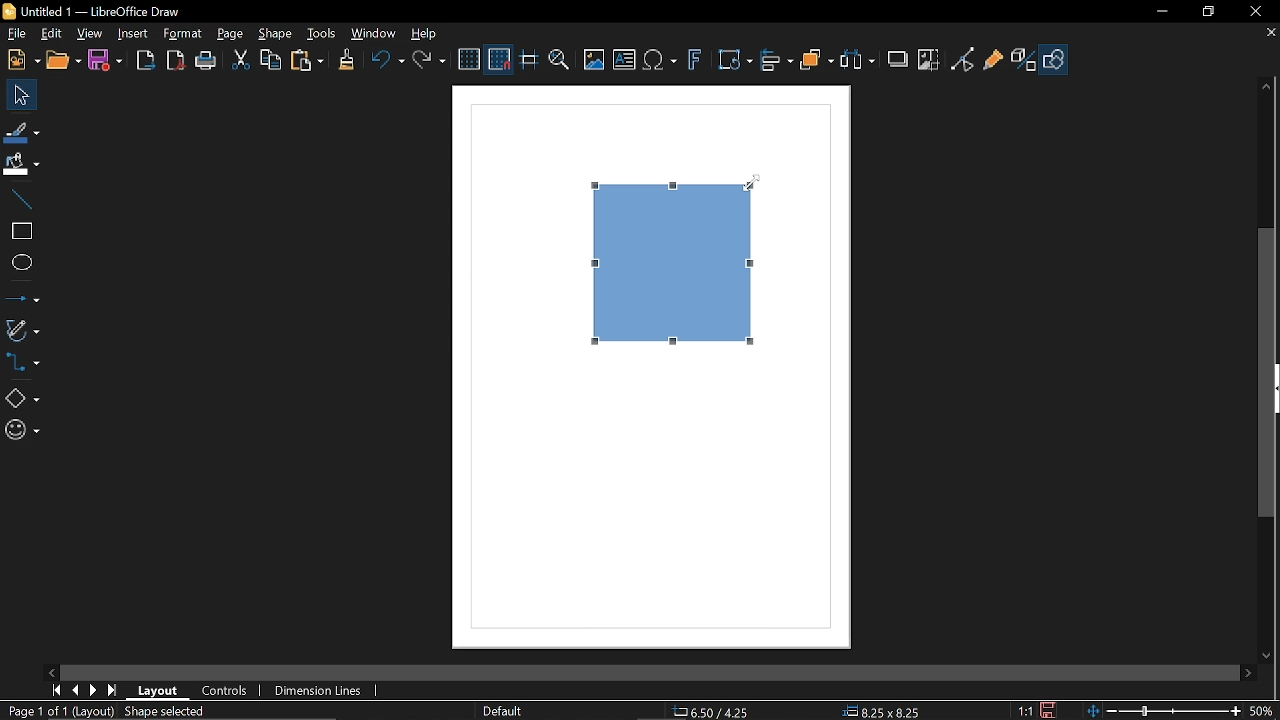  I want to click on 1:1 (Scaling factor), so click(1022, 710).